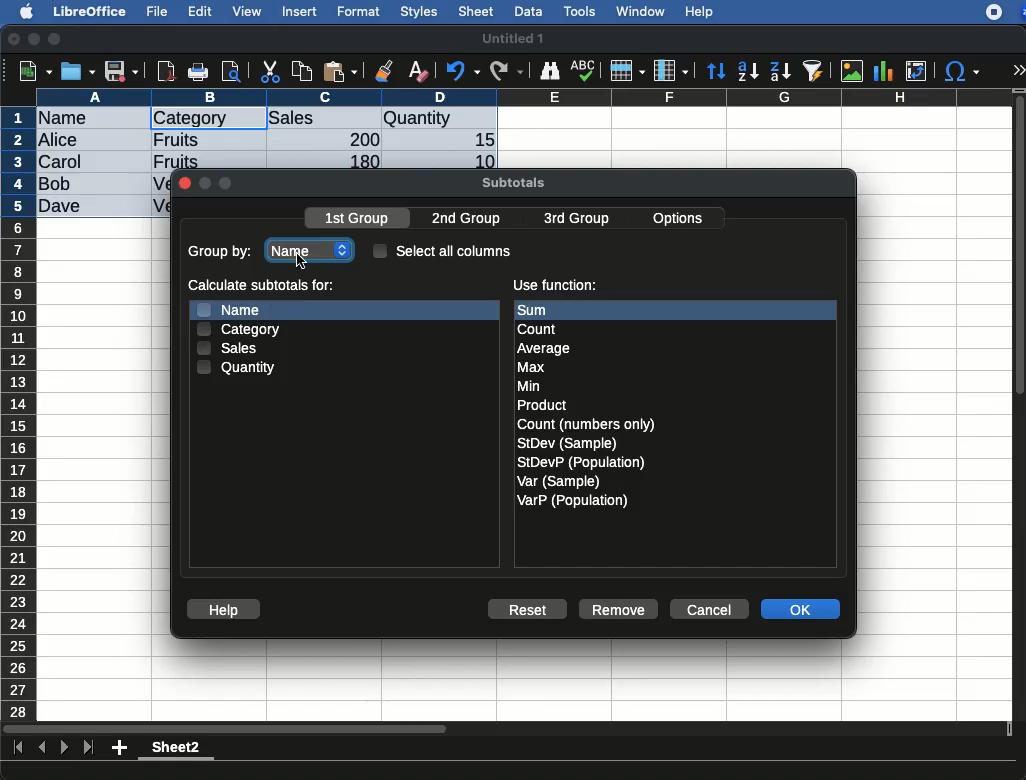  Describe the element at coordinates (359, 139) in the screenshot. I see `200` at that location.